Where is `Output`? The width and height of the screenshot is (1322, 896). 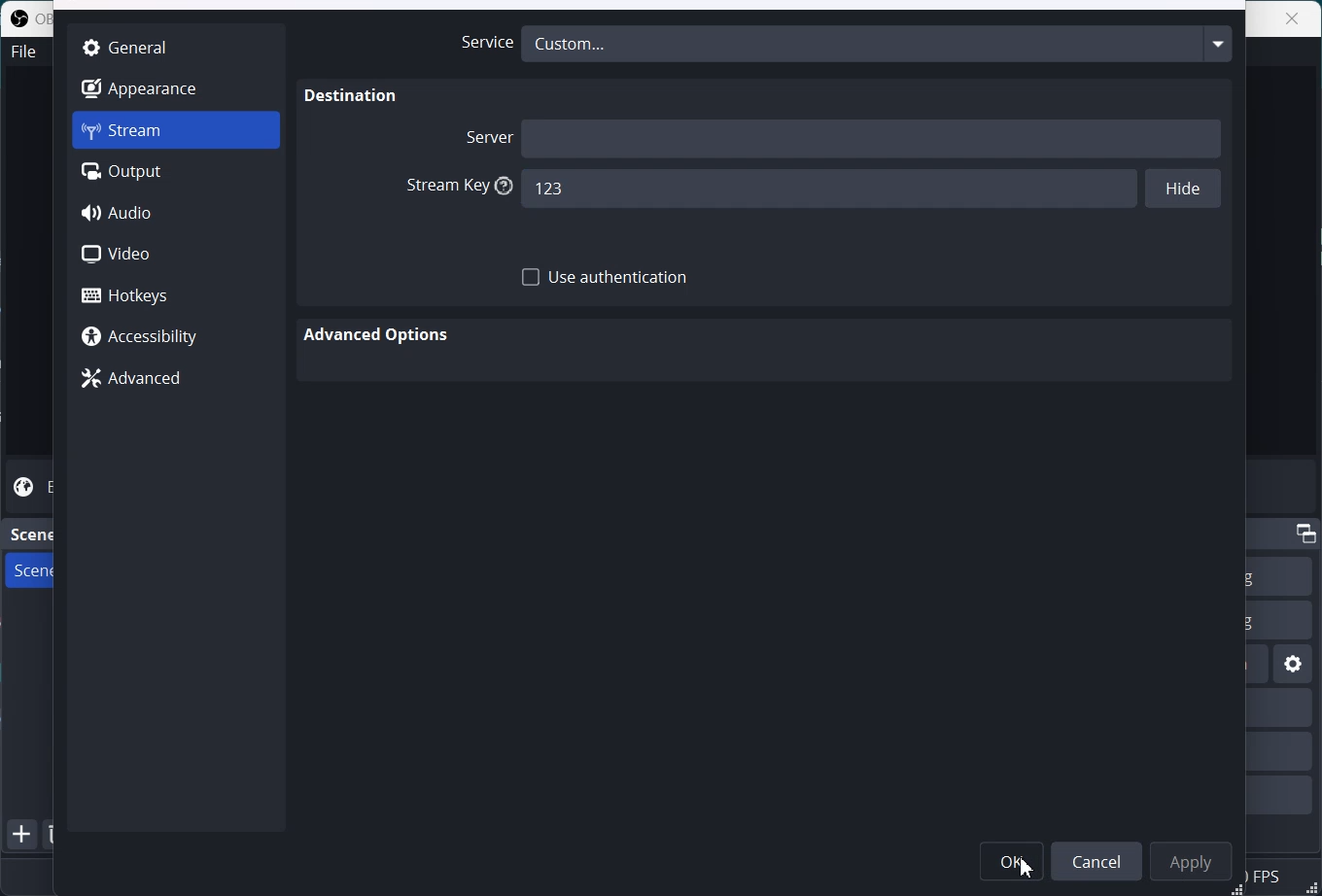 Output is located at coordinates (176, 172).